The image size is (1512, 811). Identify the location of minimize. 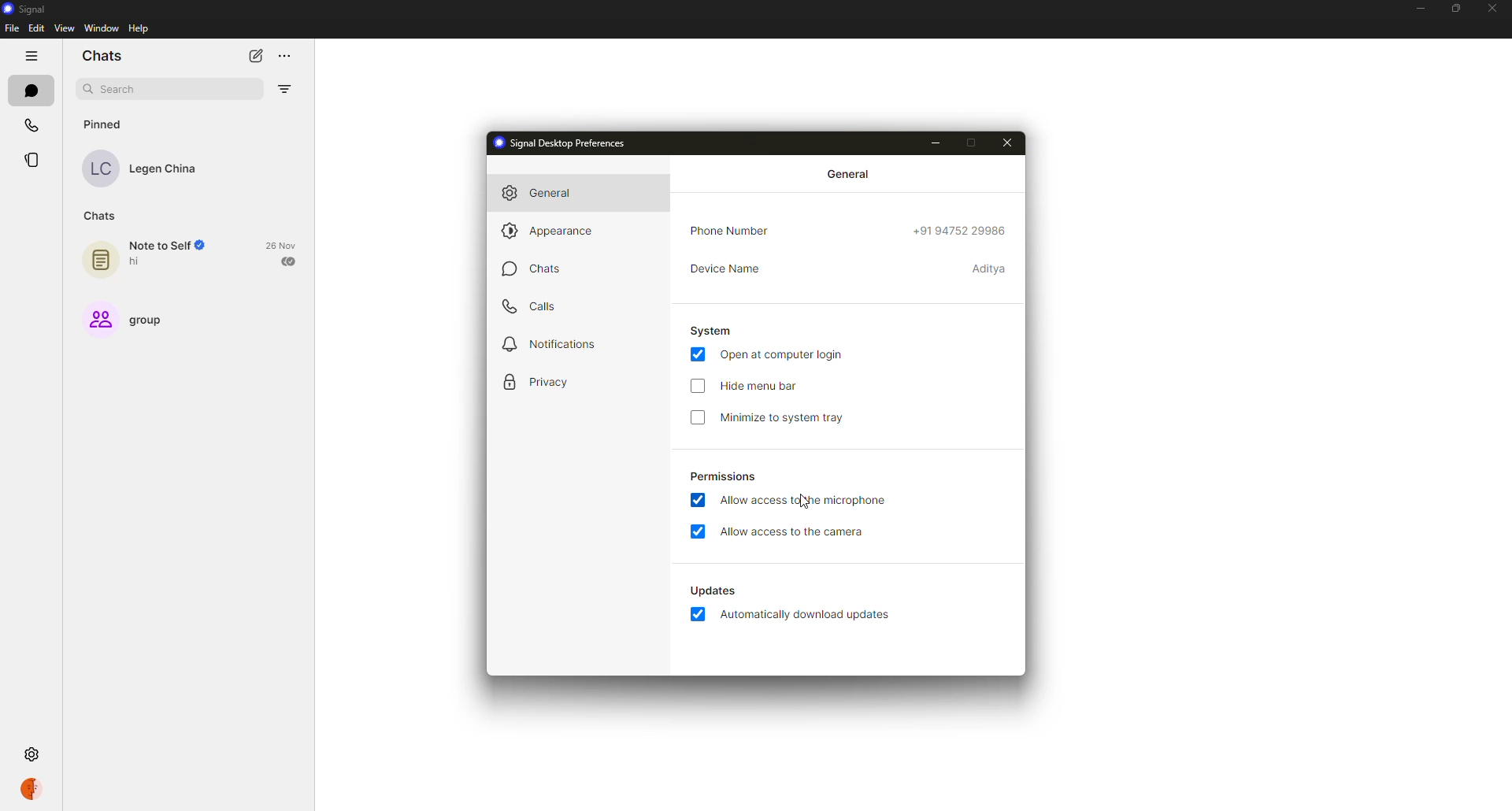
(937, 144).